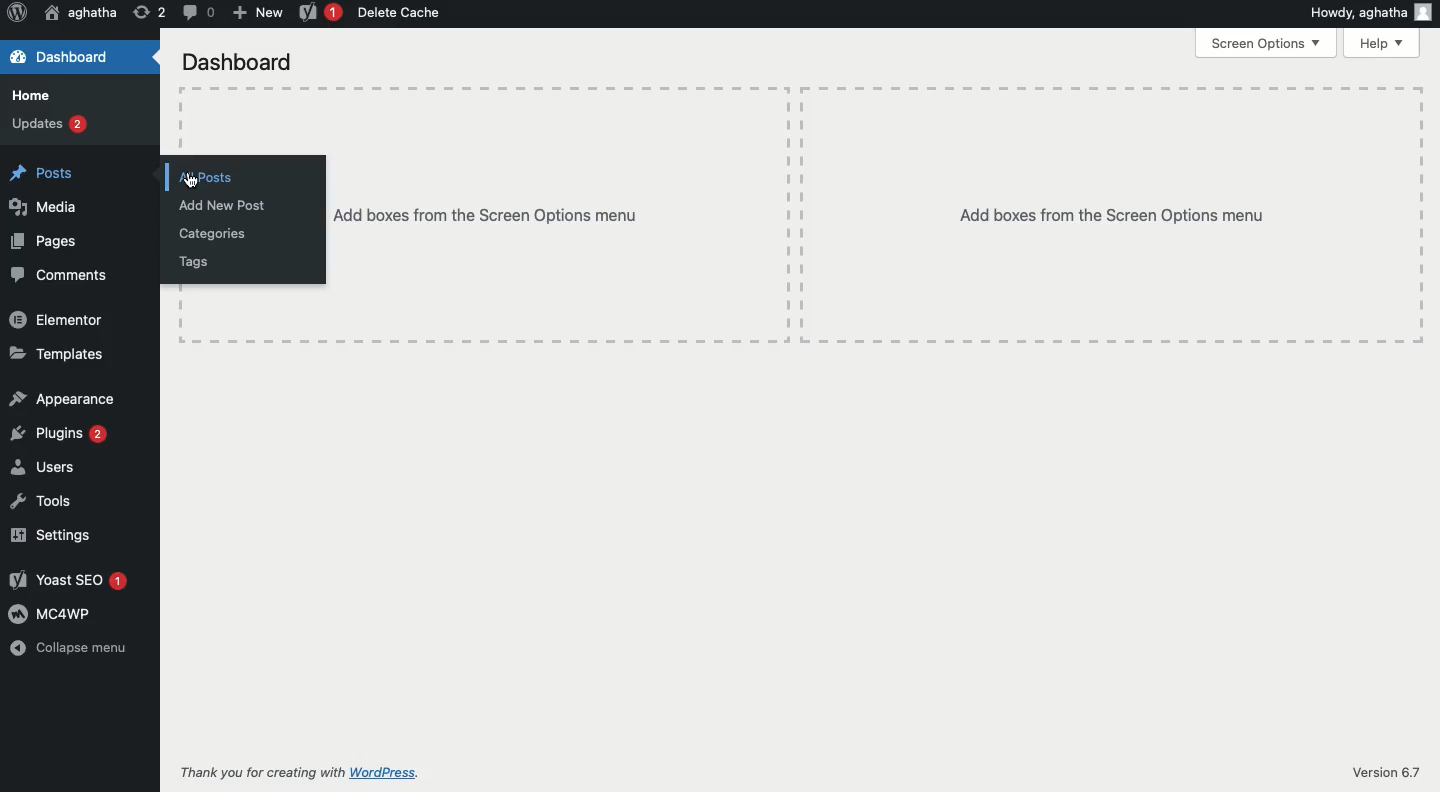 The width and height of the screenshot is (1440, 792). Describe the element at coordinates (1383, 42) in the screenshot. I see `Help` at that location.